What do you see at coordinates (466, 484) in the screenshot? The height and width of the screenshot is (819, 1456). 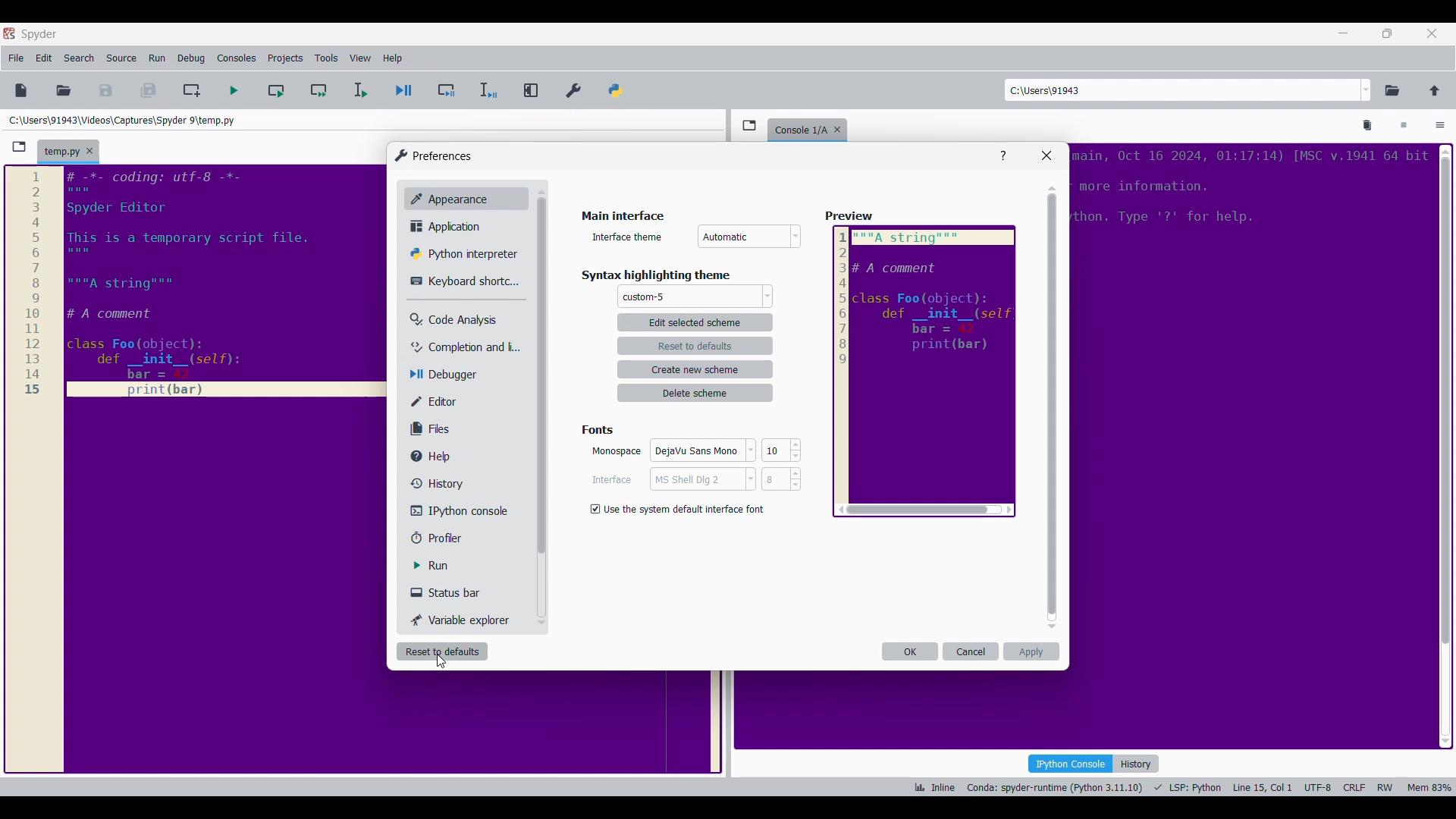 I see `History` at bounding box center [466, 484].